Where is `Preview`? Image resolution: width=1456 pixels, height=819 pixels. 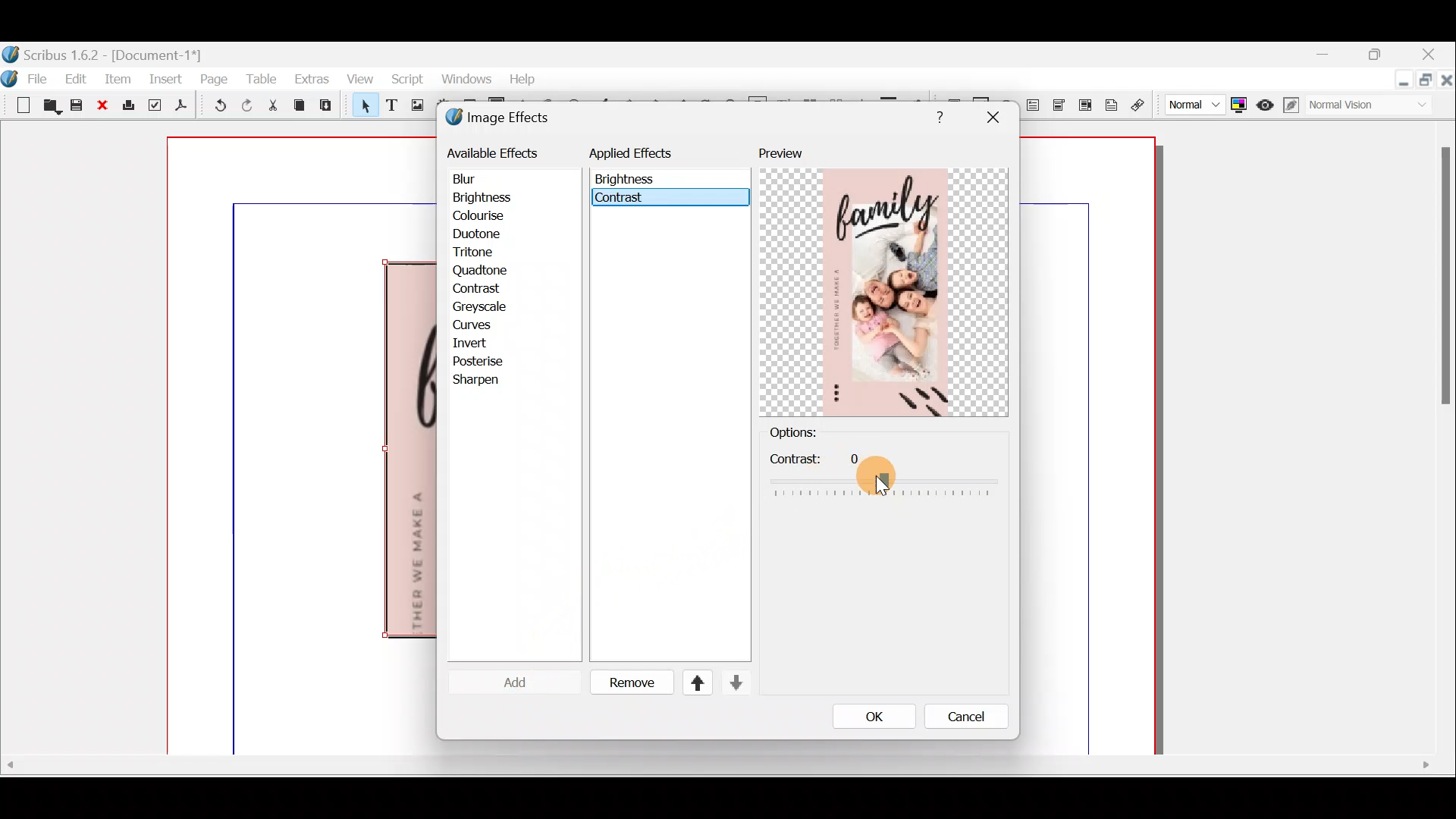
Preview is located at coordinates (883, 281).